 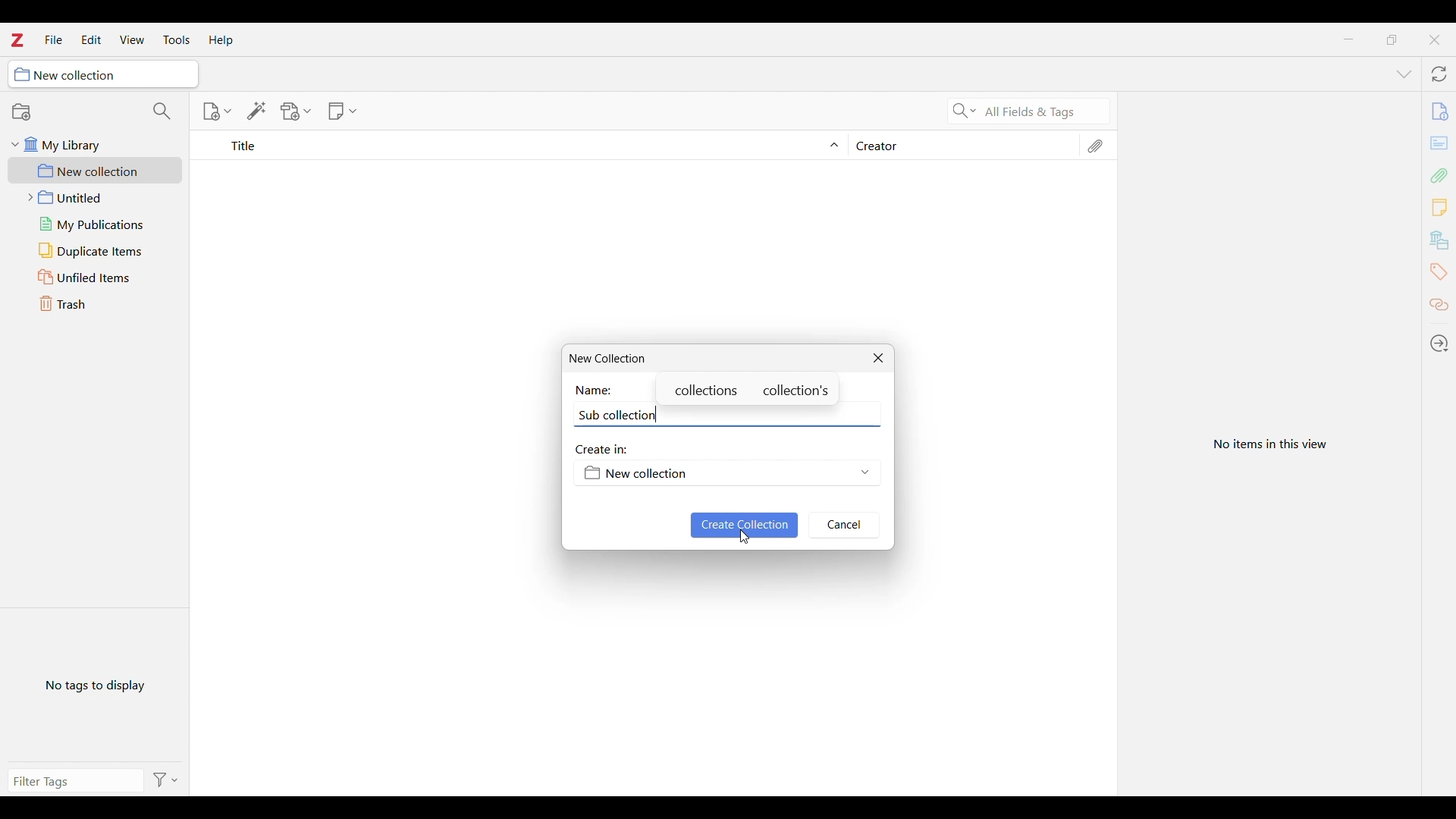 I want to click on List all tabs, so click(x=1404, y=75).